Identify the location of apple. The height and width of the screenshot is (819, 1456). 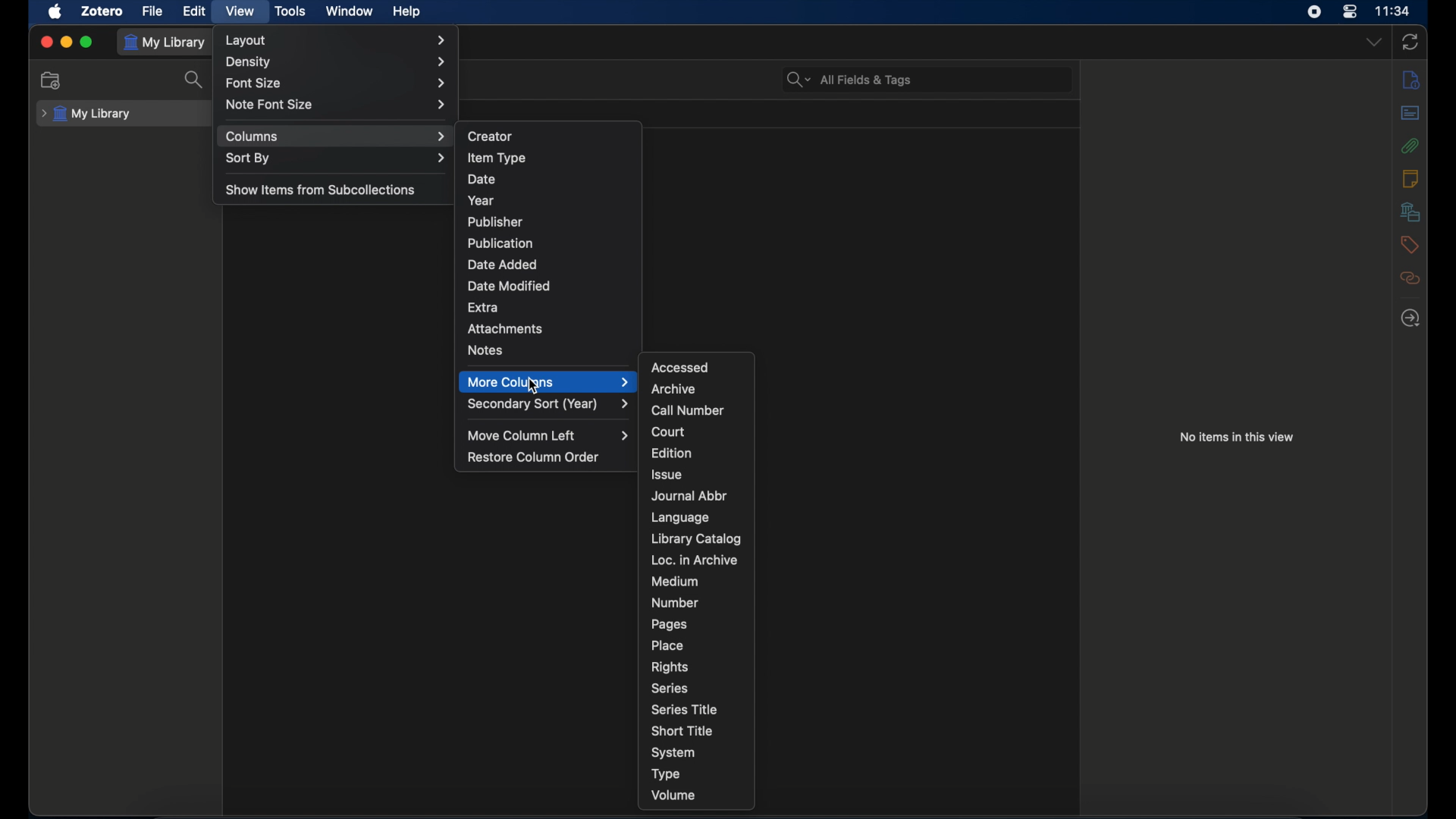
(55, 12).